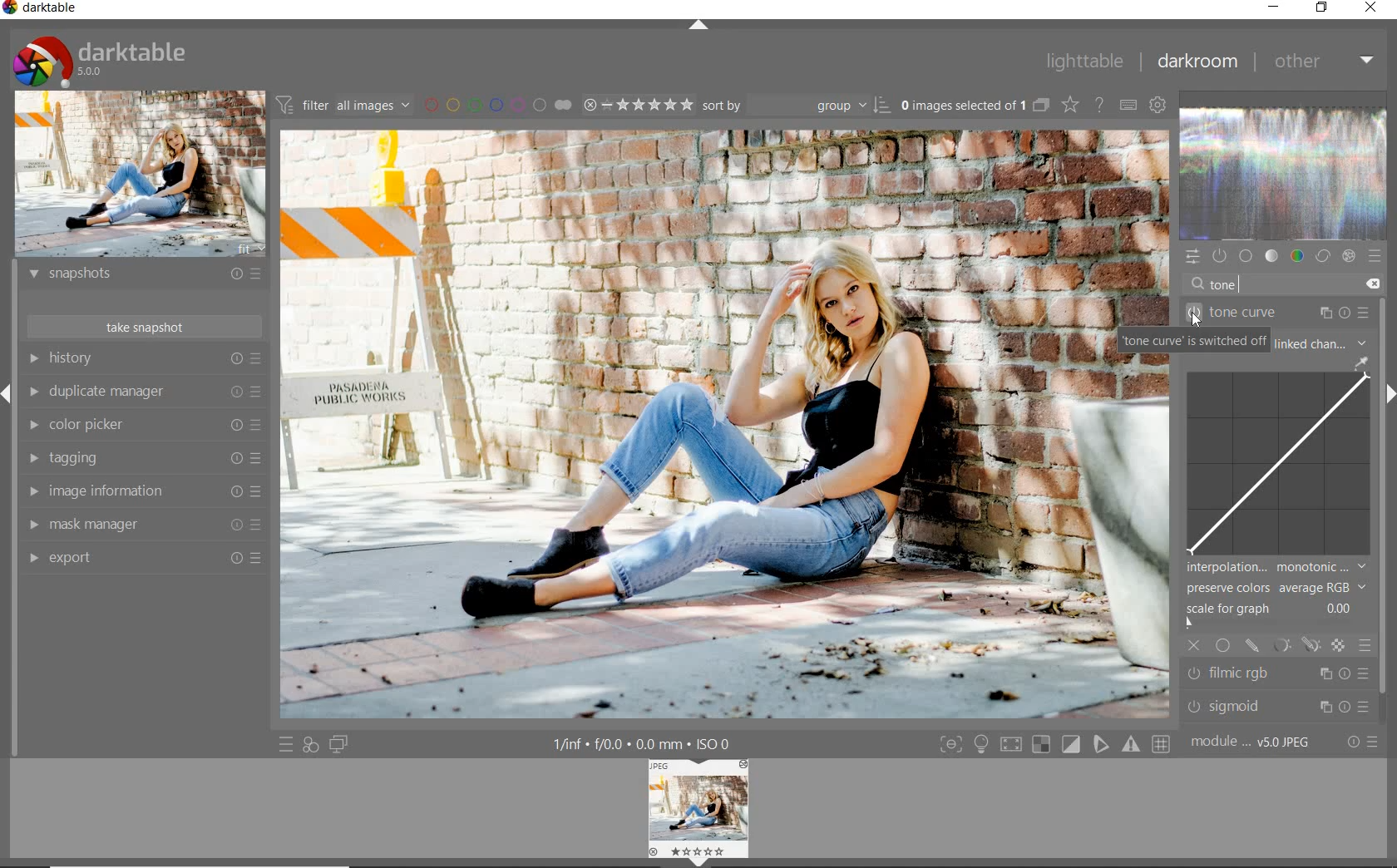 This screenshot has width=1397, height=868. I want to click on history, so click(144, 361).